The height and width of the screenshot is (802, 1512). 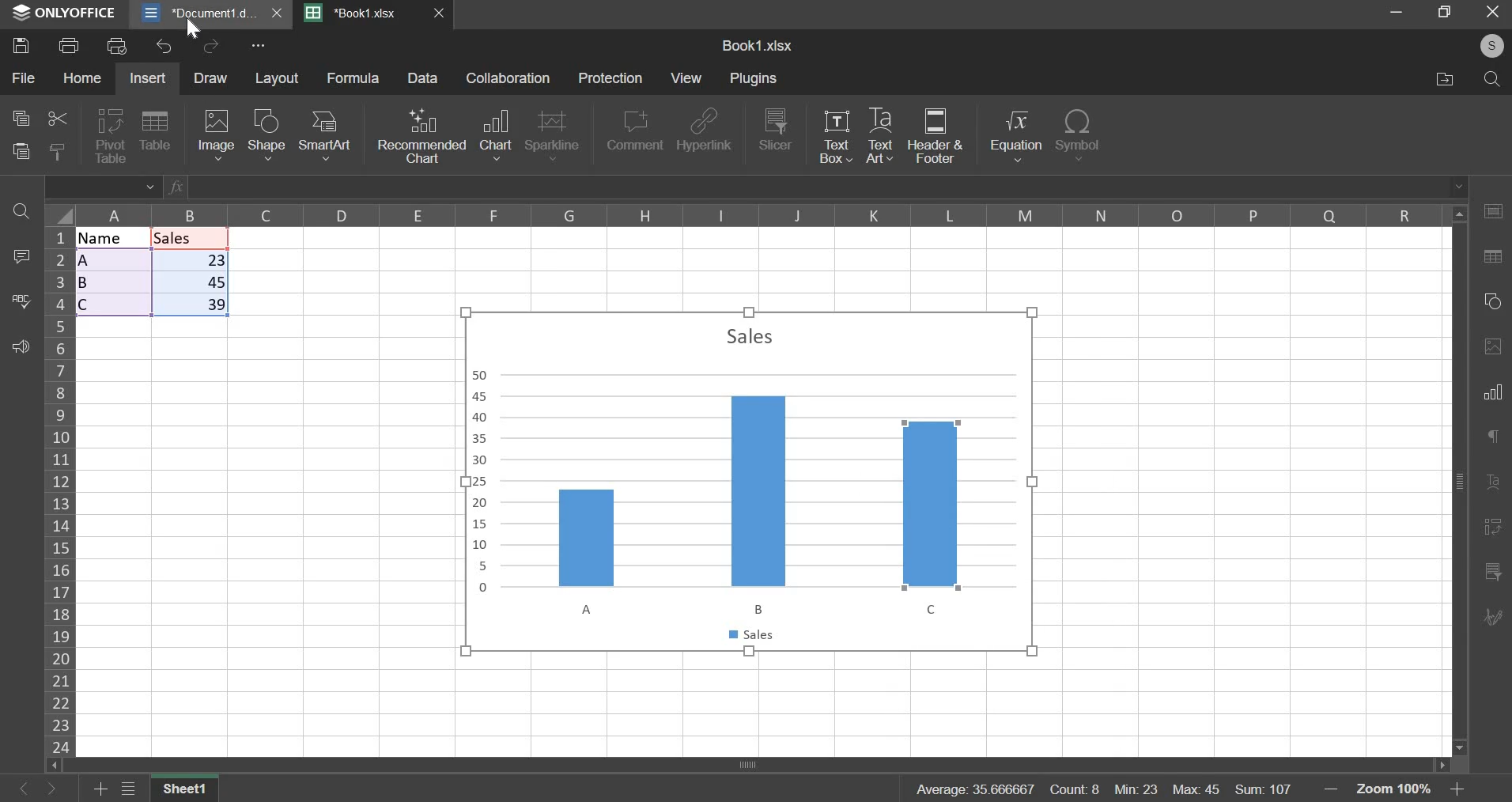 What do you see at coordinates (277, 78) in the screenshot?
I see `layout` at bounding box center [277, 78].